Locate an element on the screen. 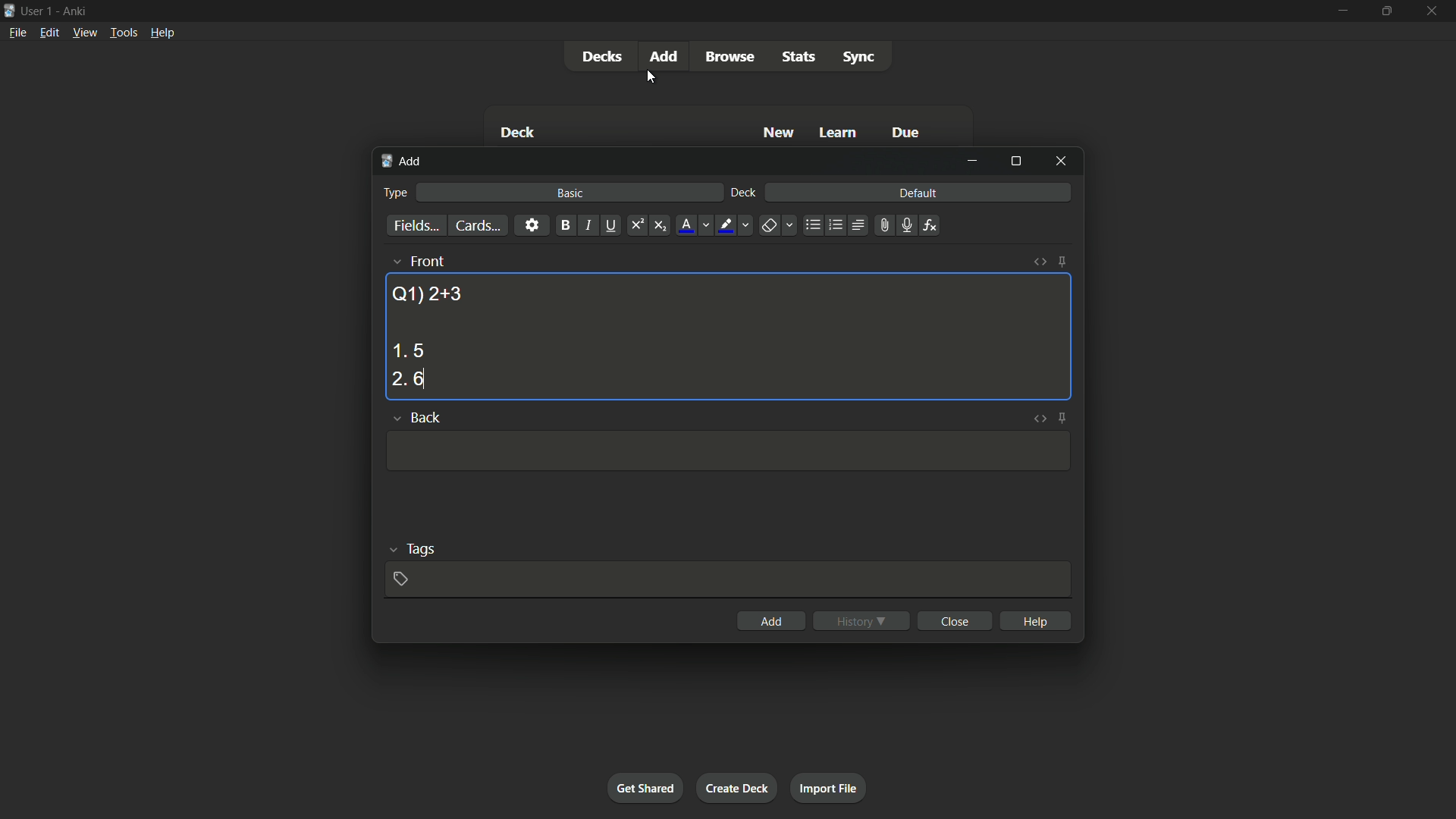  cards is located at coordinates (477, 226).